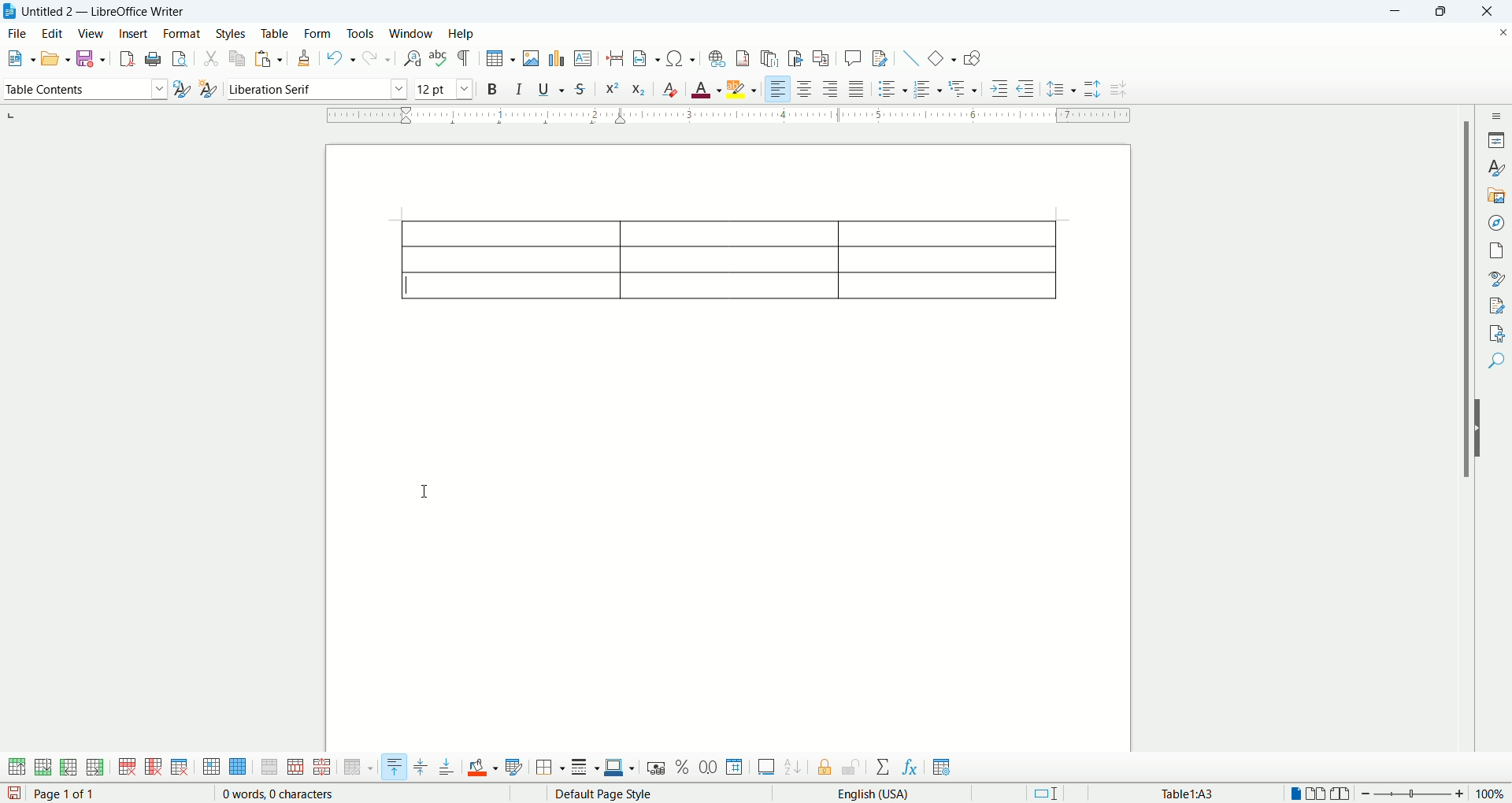 This screenshot has height=803, width=1512. What do you see at coordinates (644, 59) in the screenshot?
I see `insert field` at bounding box center [644, 59].